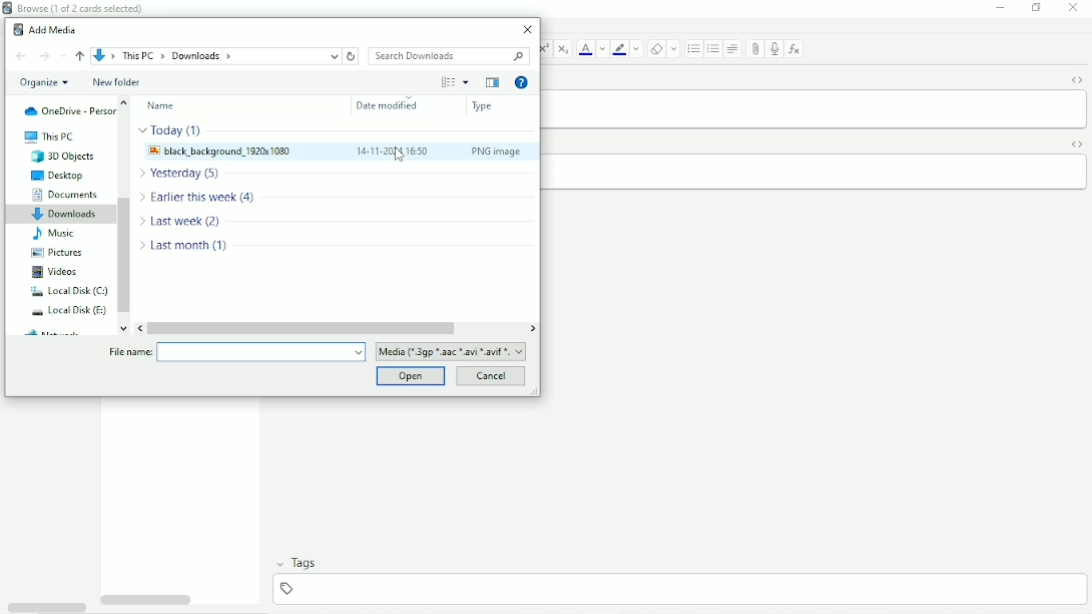 This screenshot has height=614, width=1092. What do you see at coordinates (56, 272) in the screenshot?
I see `Videos` at bounding box center [56, 272].